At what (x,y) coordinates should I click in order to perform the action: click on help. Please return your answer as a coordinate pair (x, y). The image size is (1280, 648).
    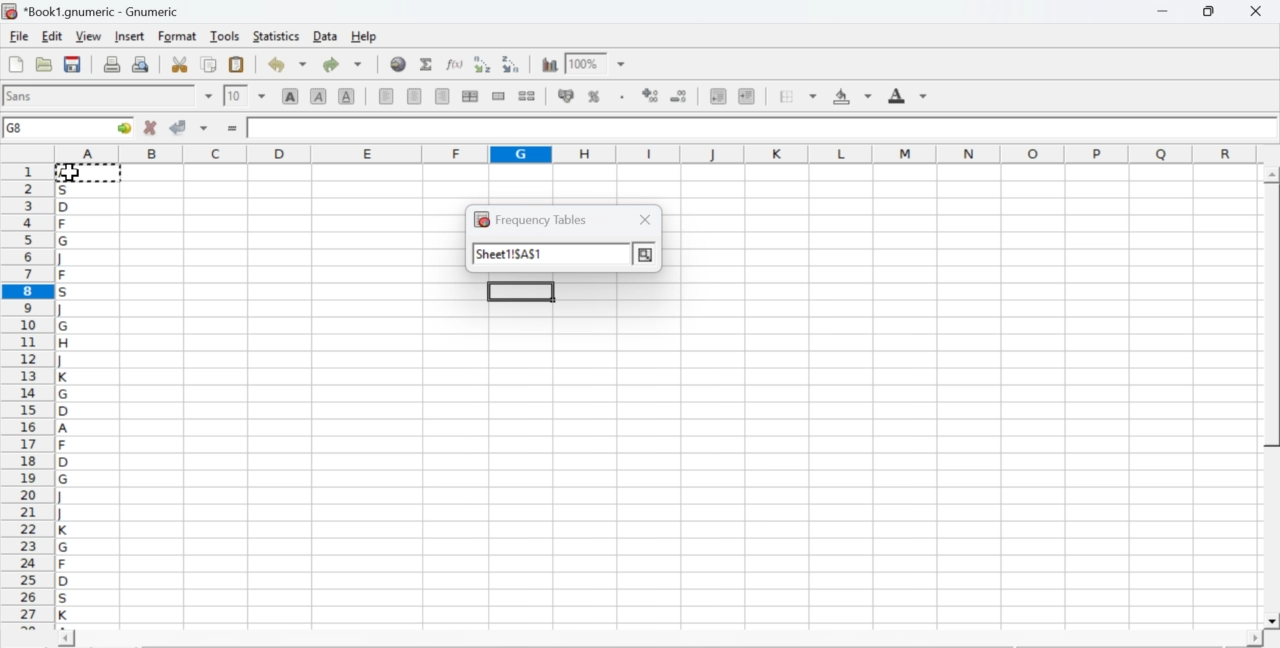
    Looking at the image, I should click on (366, 37).